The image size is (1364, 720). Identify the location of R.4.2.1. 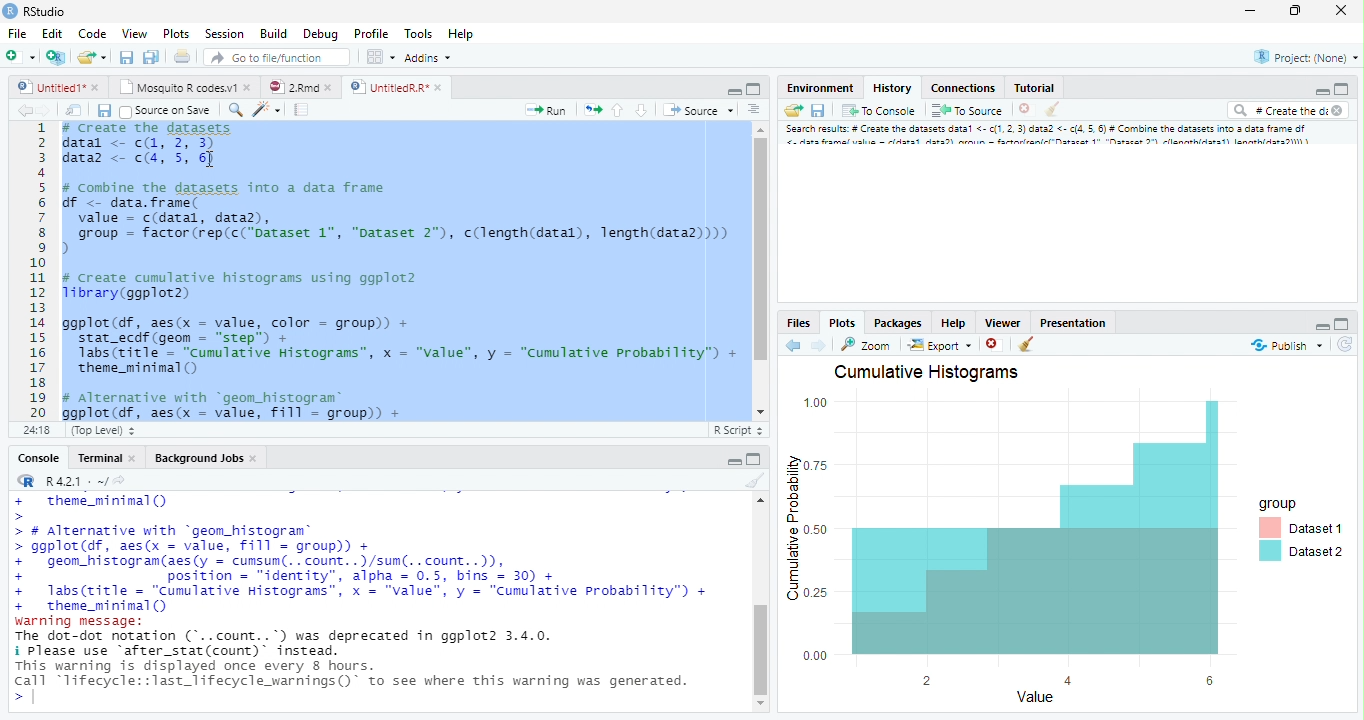
(65, 481).